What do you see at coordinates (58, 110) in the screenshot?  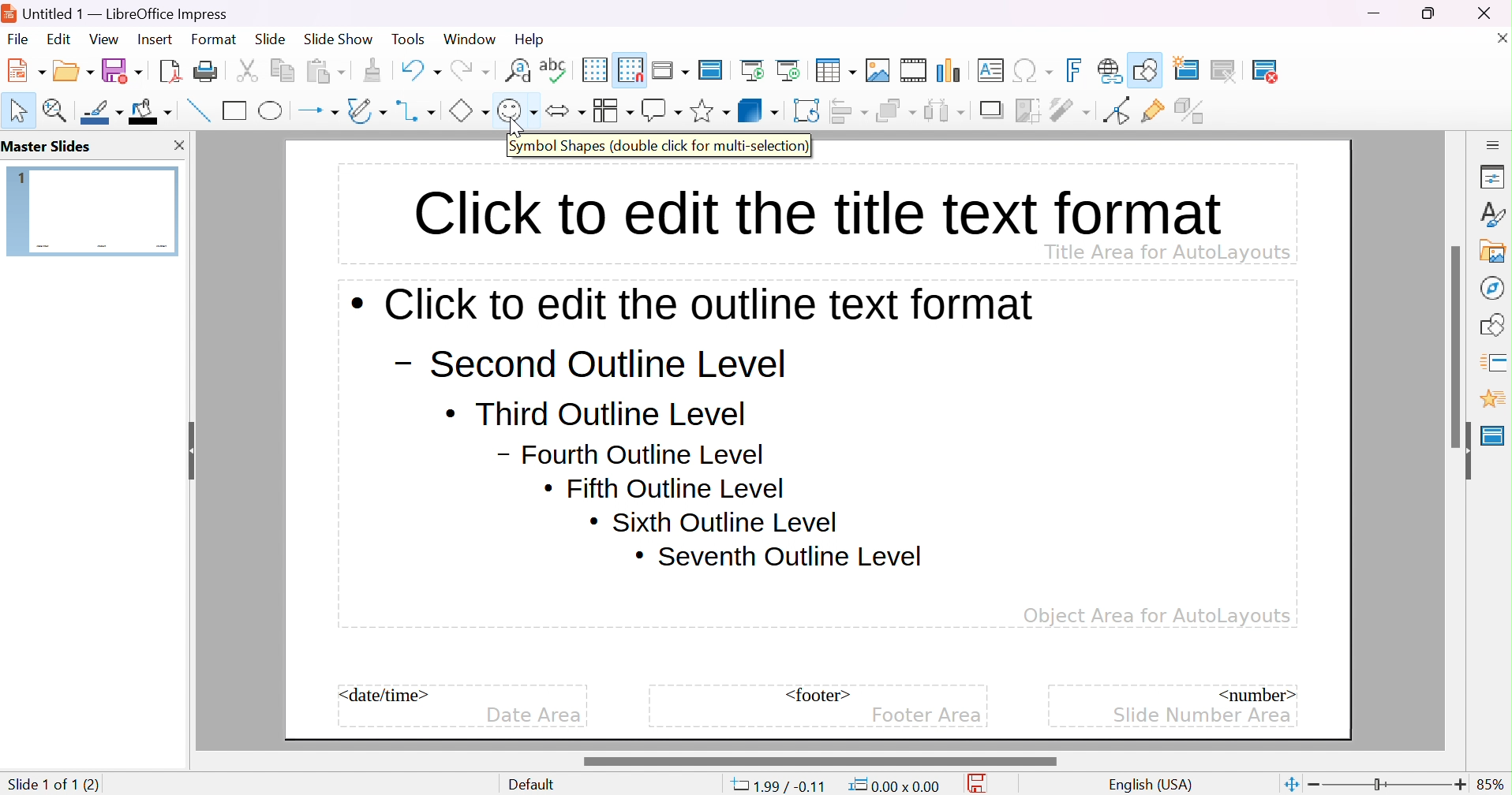 I see `zoom & pan` at bounding box center [58, 110].